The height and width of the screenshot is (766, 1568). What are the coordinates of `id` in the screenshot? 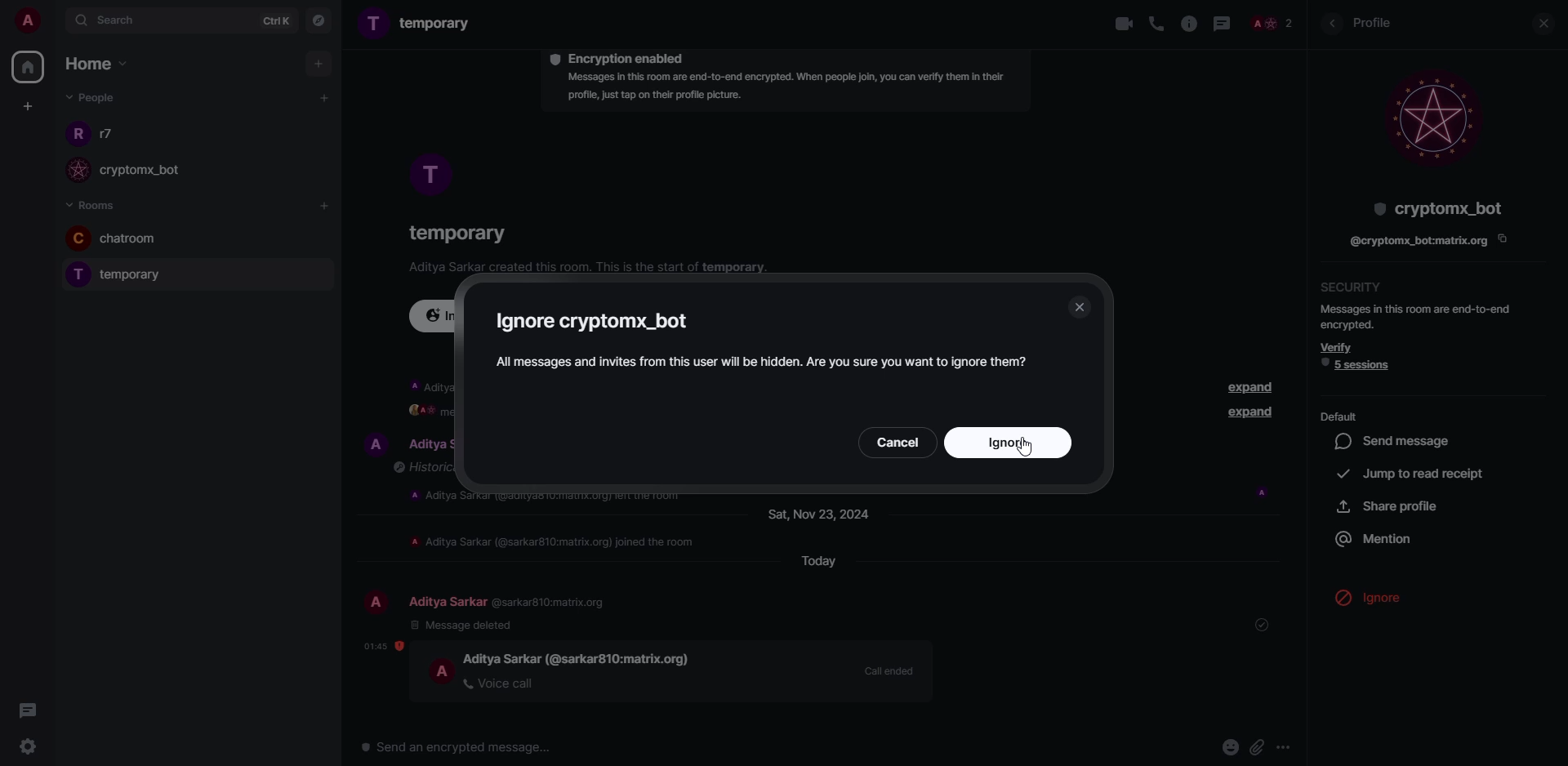 It's located at (1416, 243).